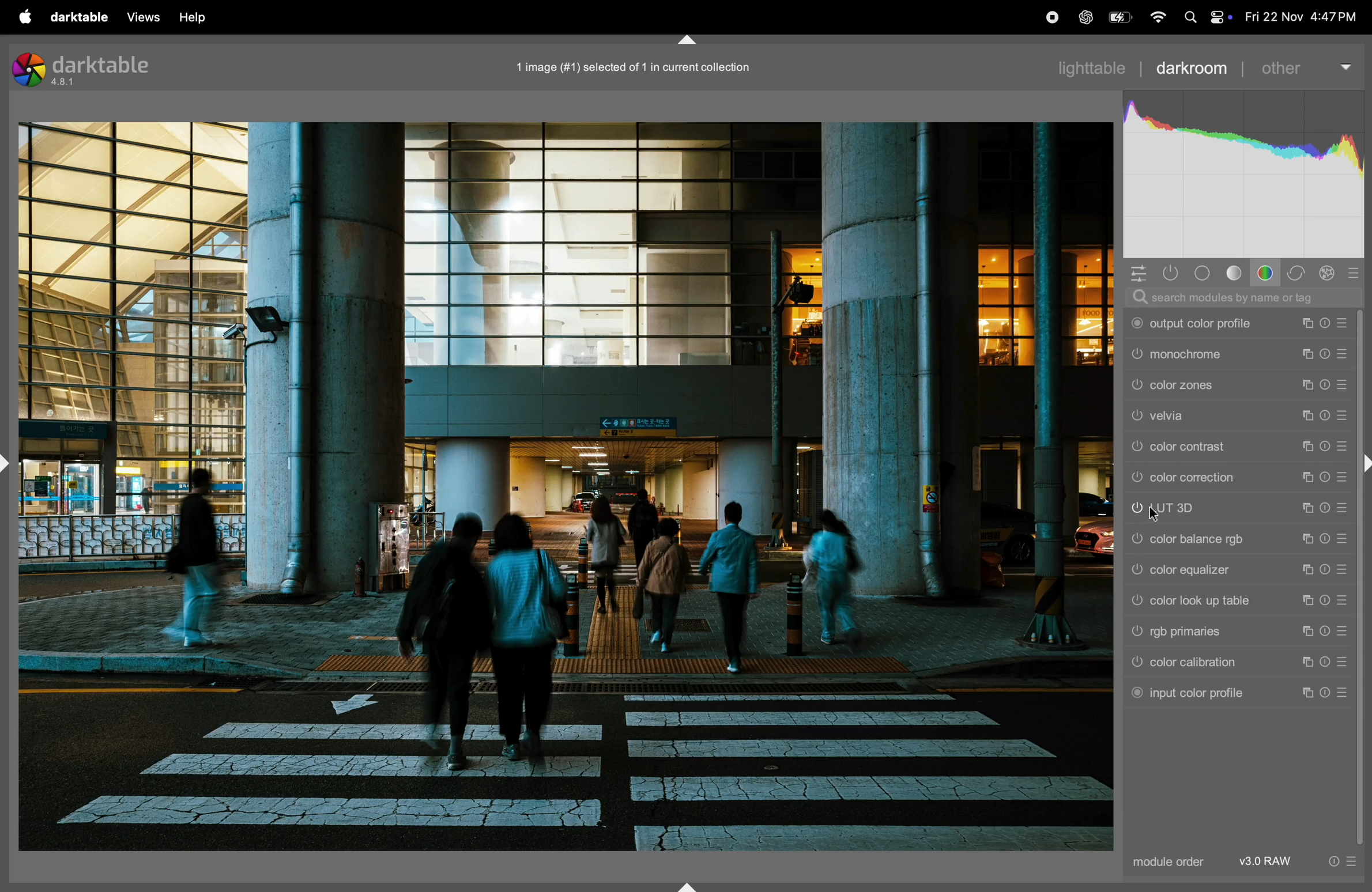 This screenshot has width=1372, height=892. I want to click on multiple intance actions, so click(1306, 507).